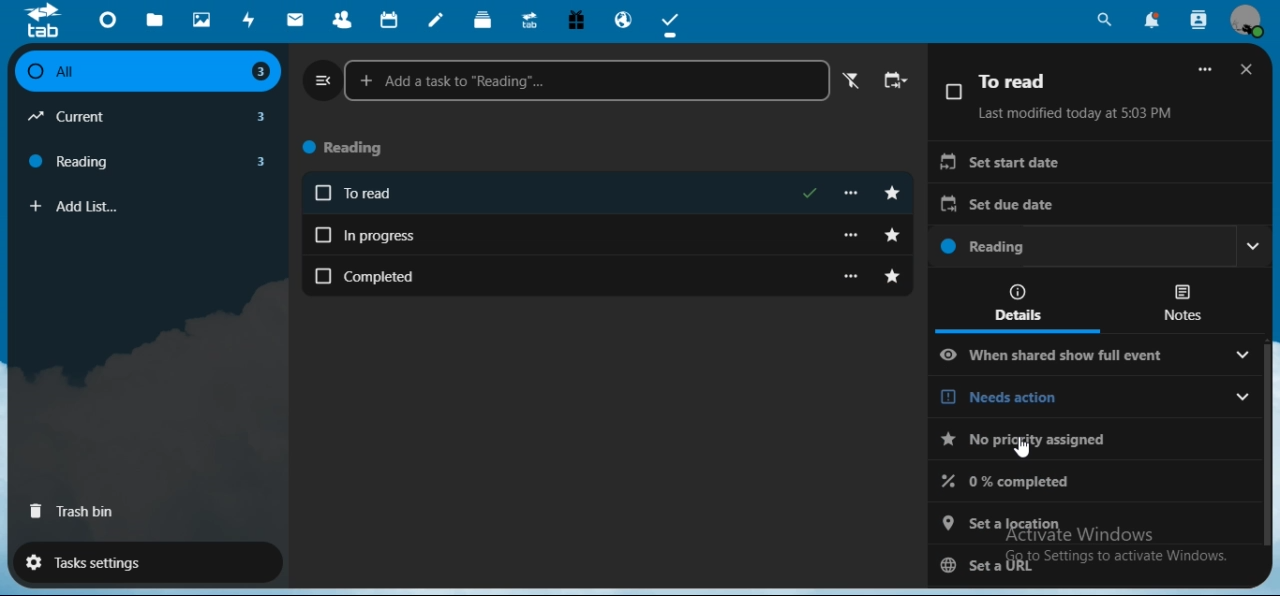 This screenshot has height=596, width=1280. I want to click on To read, so click(565, 195).